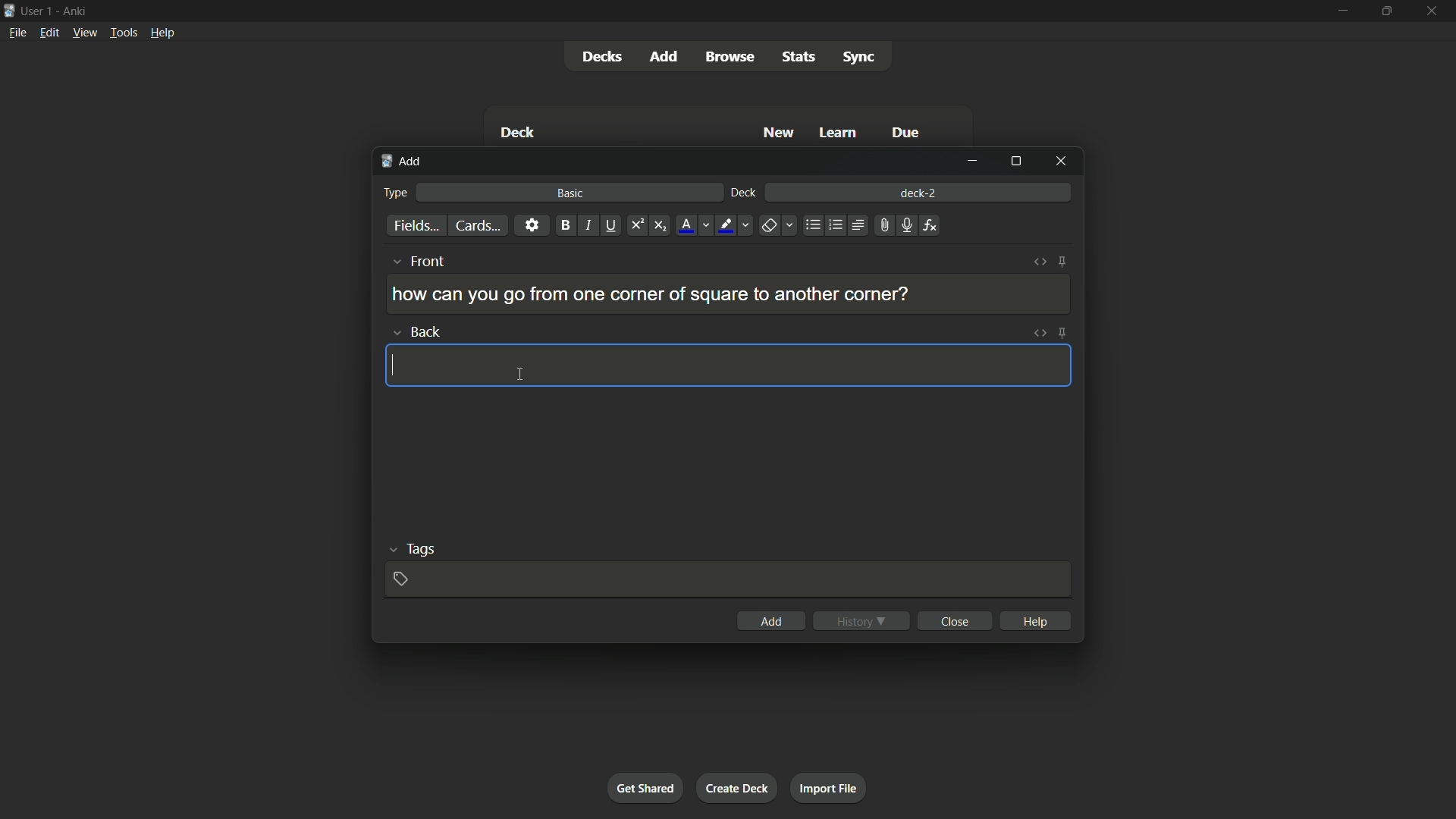 The width and height of the screenshot is (1456, 819). What do you see at coordinates (16, 33) in the screenshot?
I see `file menu` at bounding box center [16, 33].